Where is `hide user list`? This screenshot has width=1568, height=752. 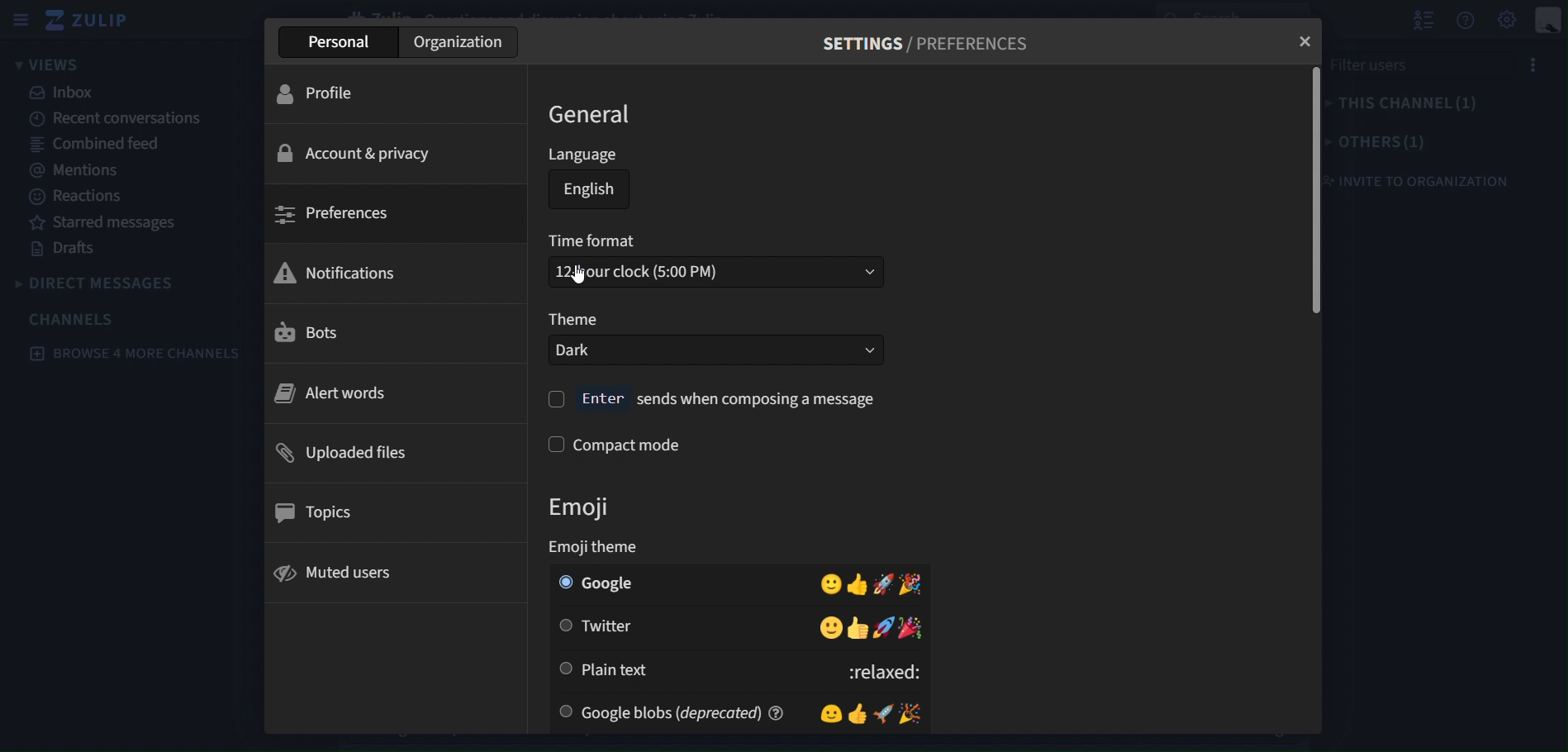 hide user list is located at coordinates (1421, 17).